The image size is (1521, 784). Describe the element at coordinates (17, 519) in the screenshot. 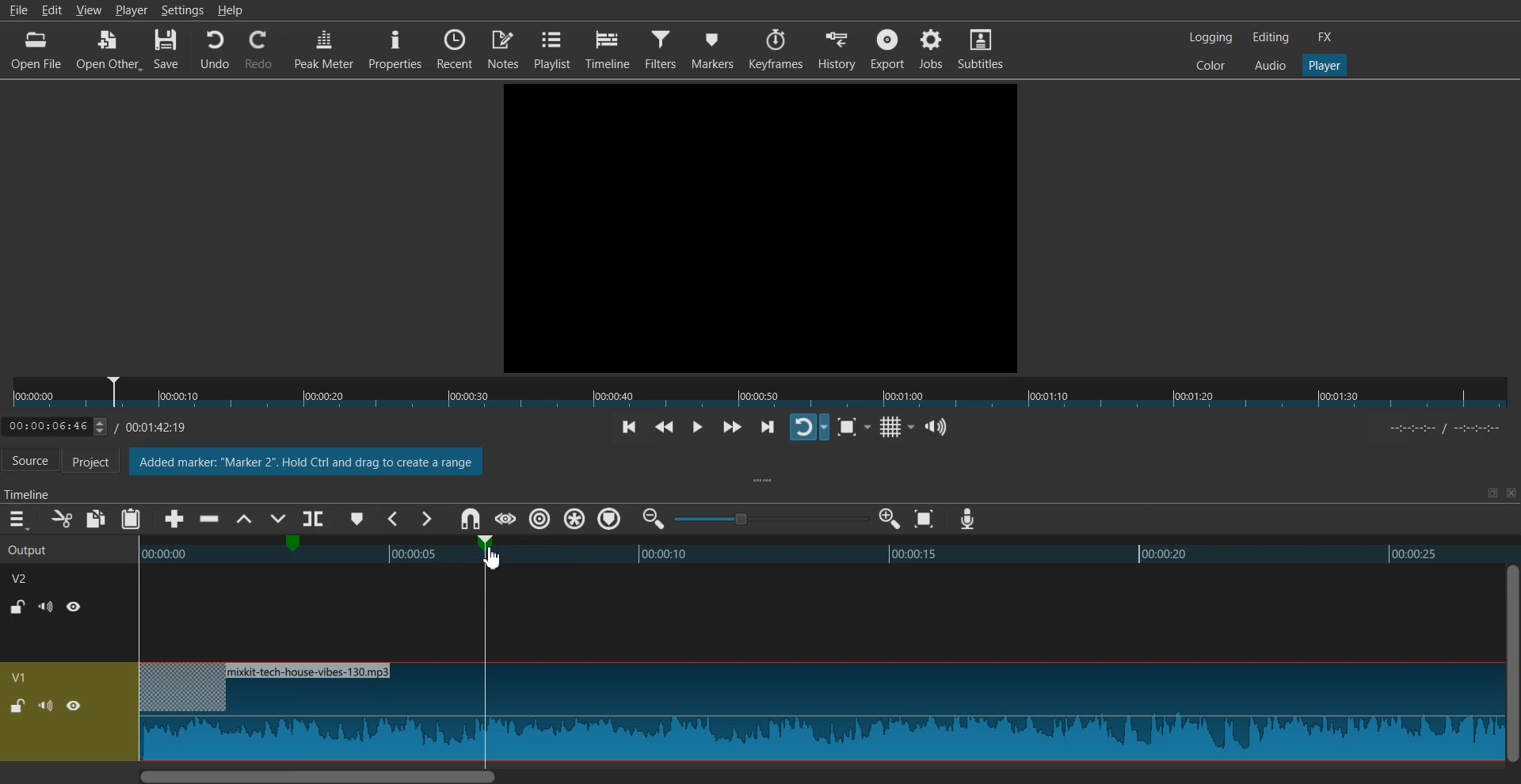

I see `Hamburger menu` at that location.